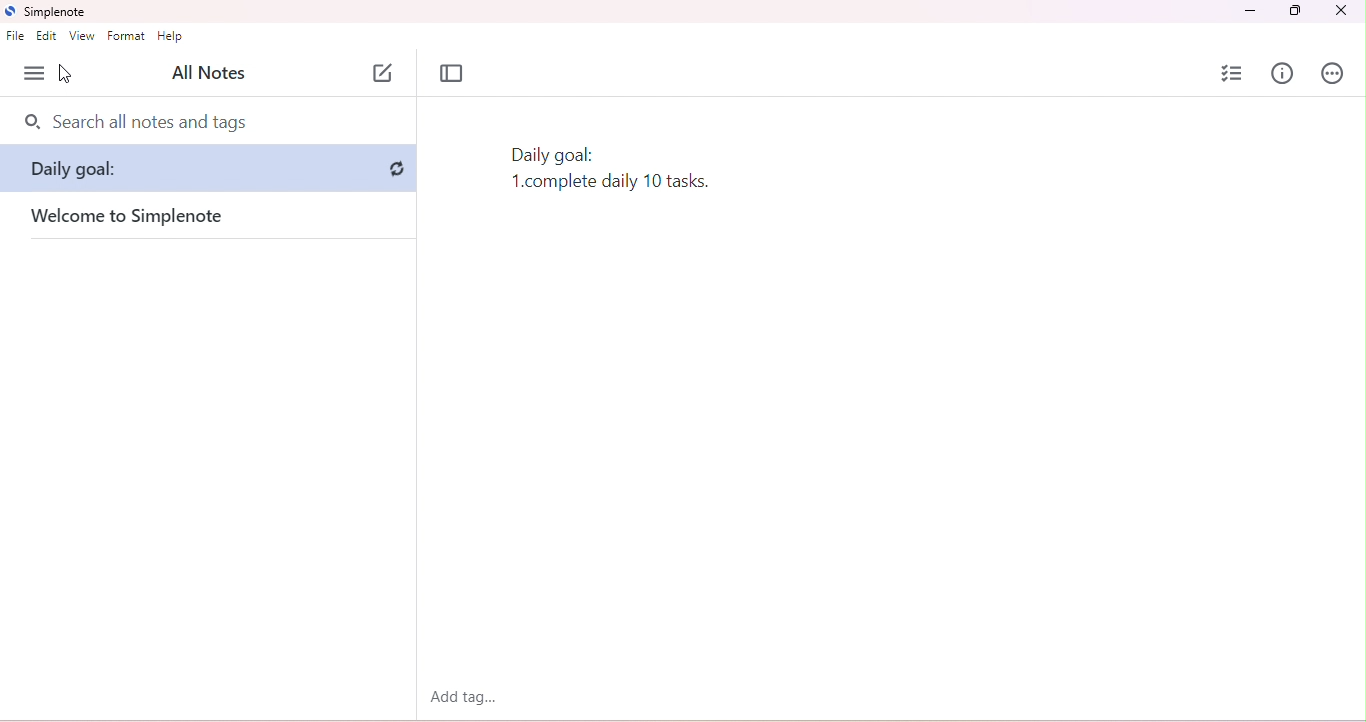 The height and width of the screenshot is (722, 1366). Describe the element at coordinates (35, 73) in the screenshot. I see `menu` at that location.